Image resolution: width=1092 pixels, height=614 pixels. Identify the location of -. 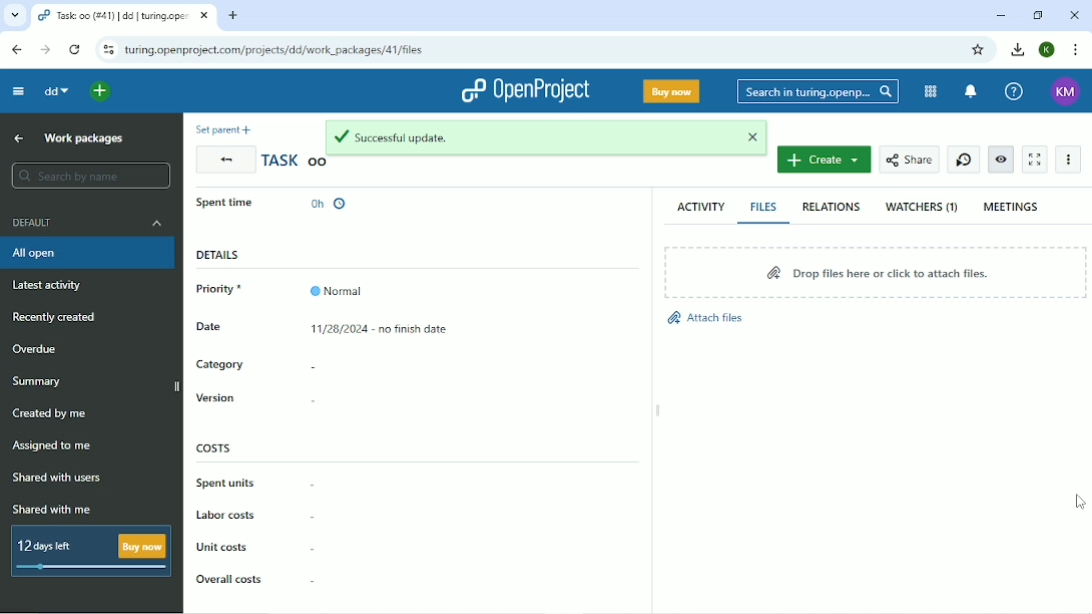
(318, 403).